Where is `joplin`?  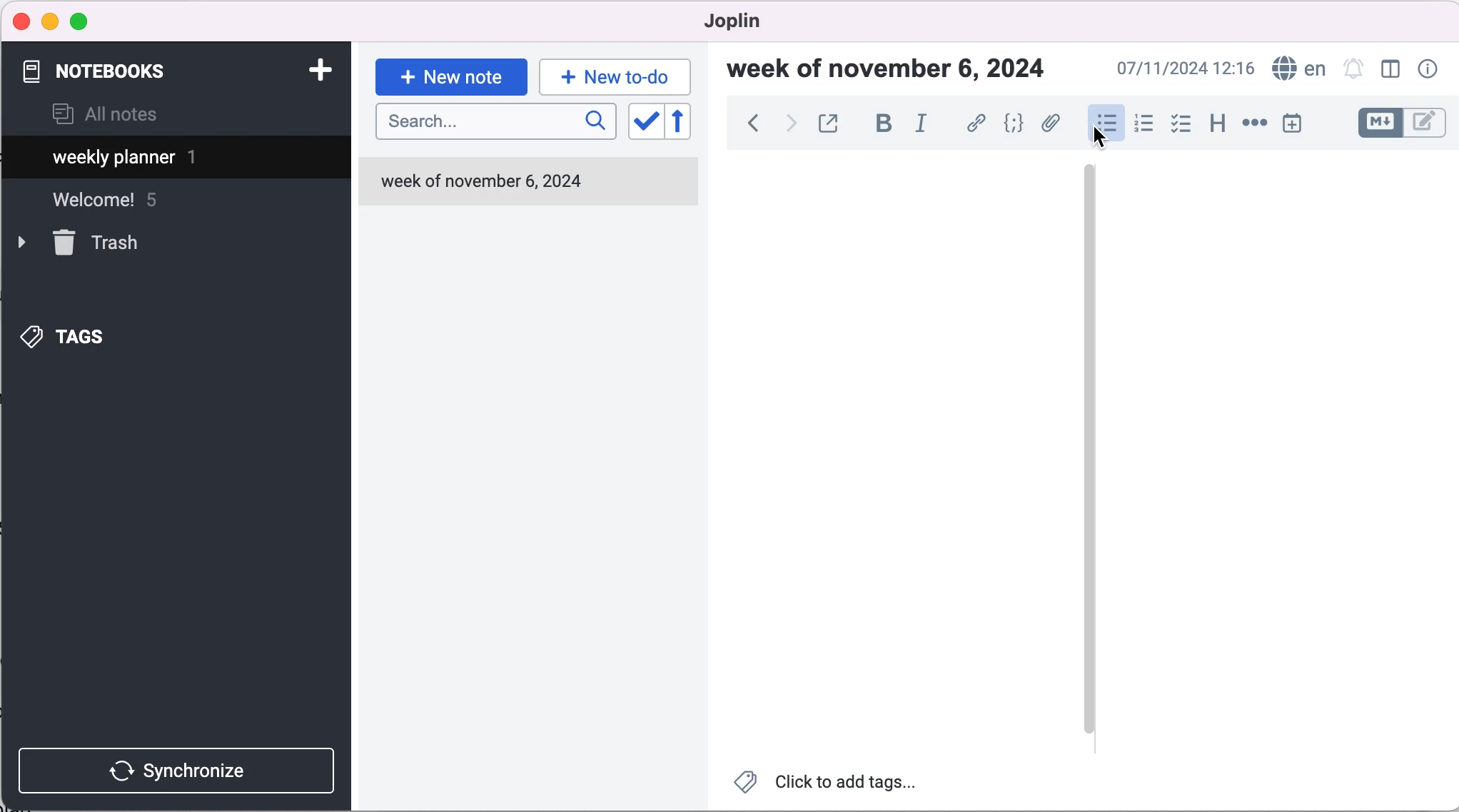 joplin is located at coordinates (754, 21).